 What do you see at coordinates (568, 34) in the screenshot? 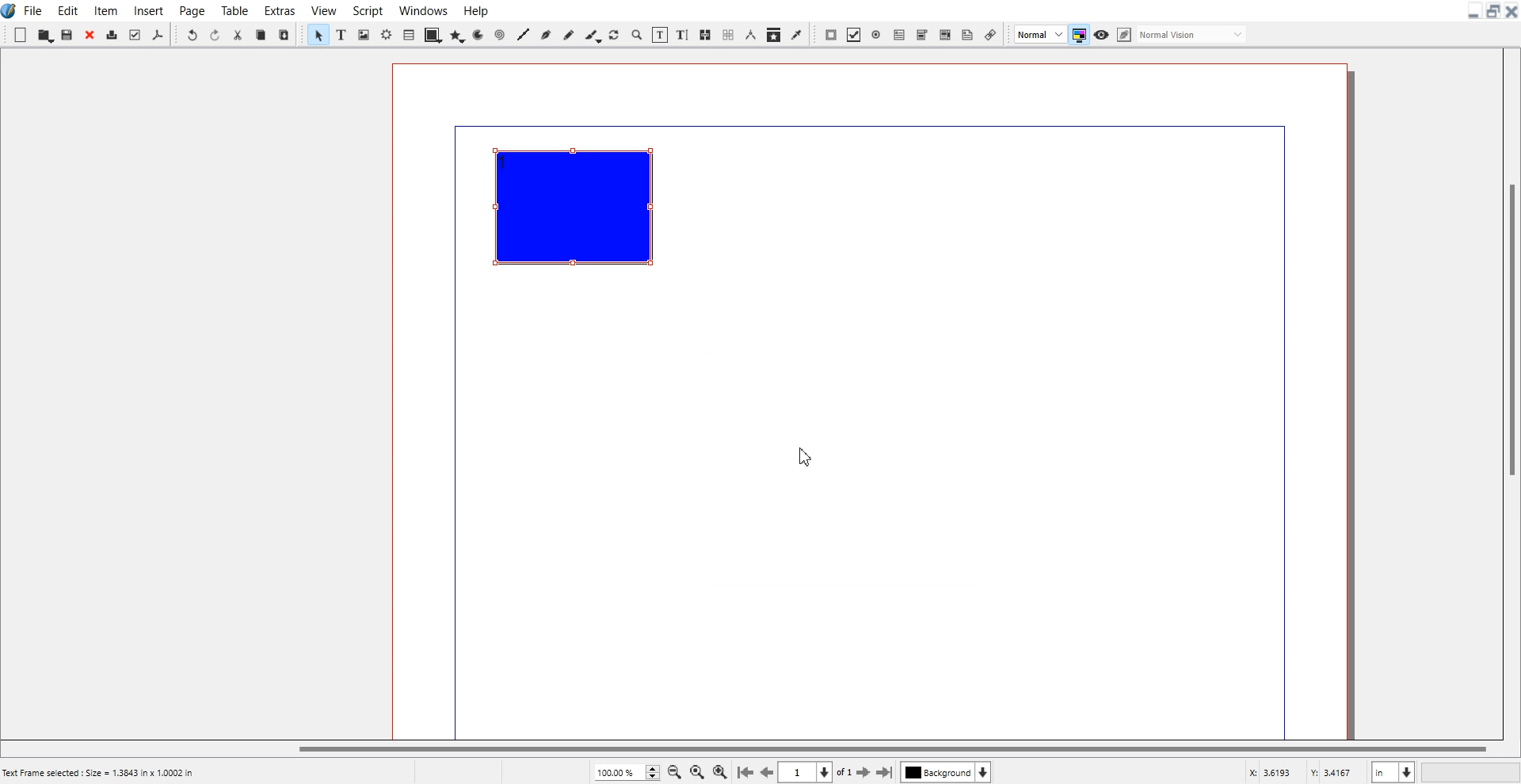
I see `Freehand line` at bounding box center [568, 34].